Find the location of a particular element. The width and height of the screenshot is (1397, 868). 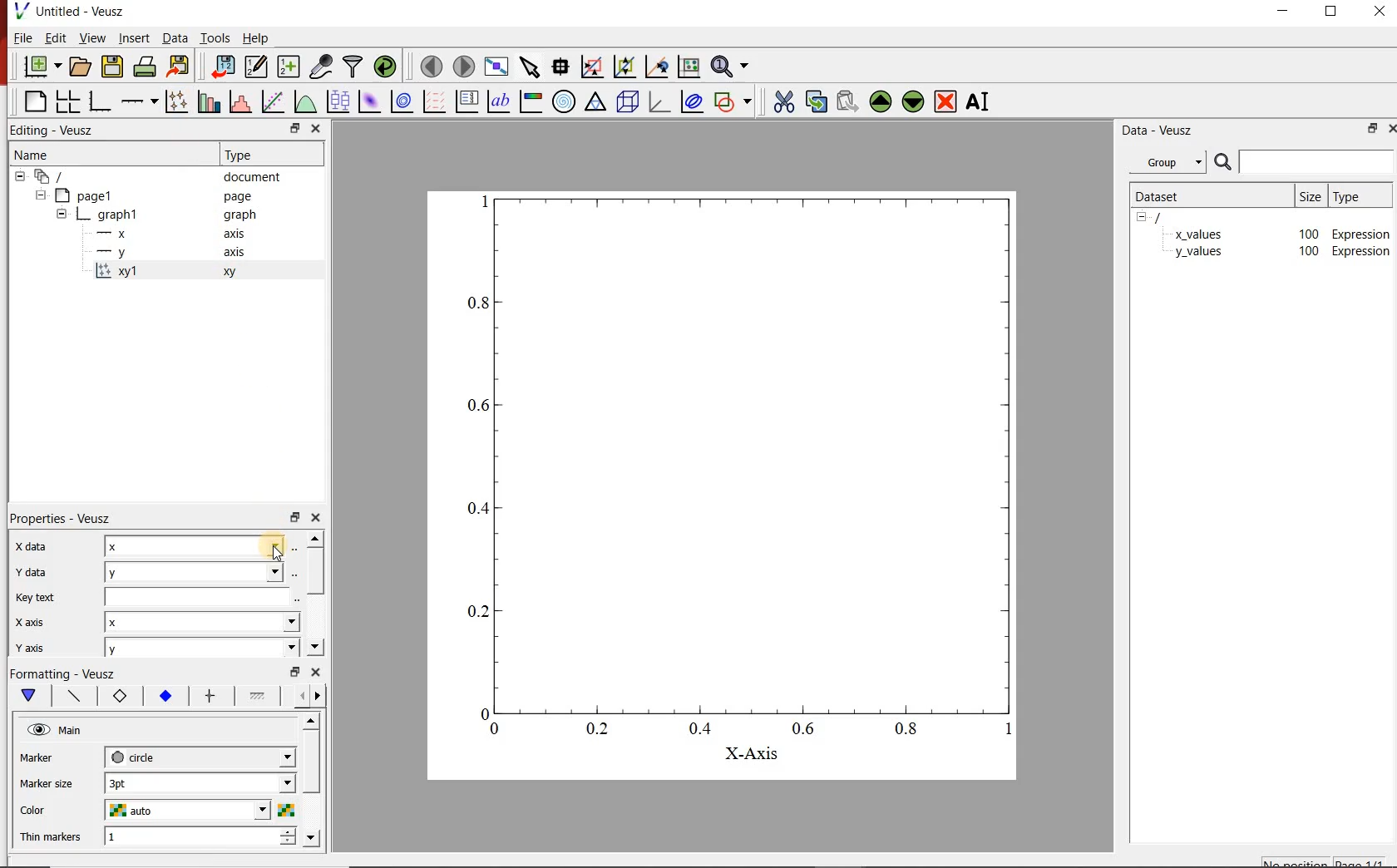

new document is located at coordinates (42, 65).